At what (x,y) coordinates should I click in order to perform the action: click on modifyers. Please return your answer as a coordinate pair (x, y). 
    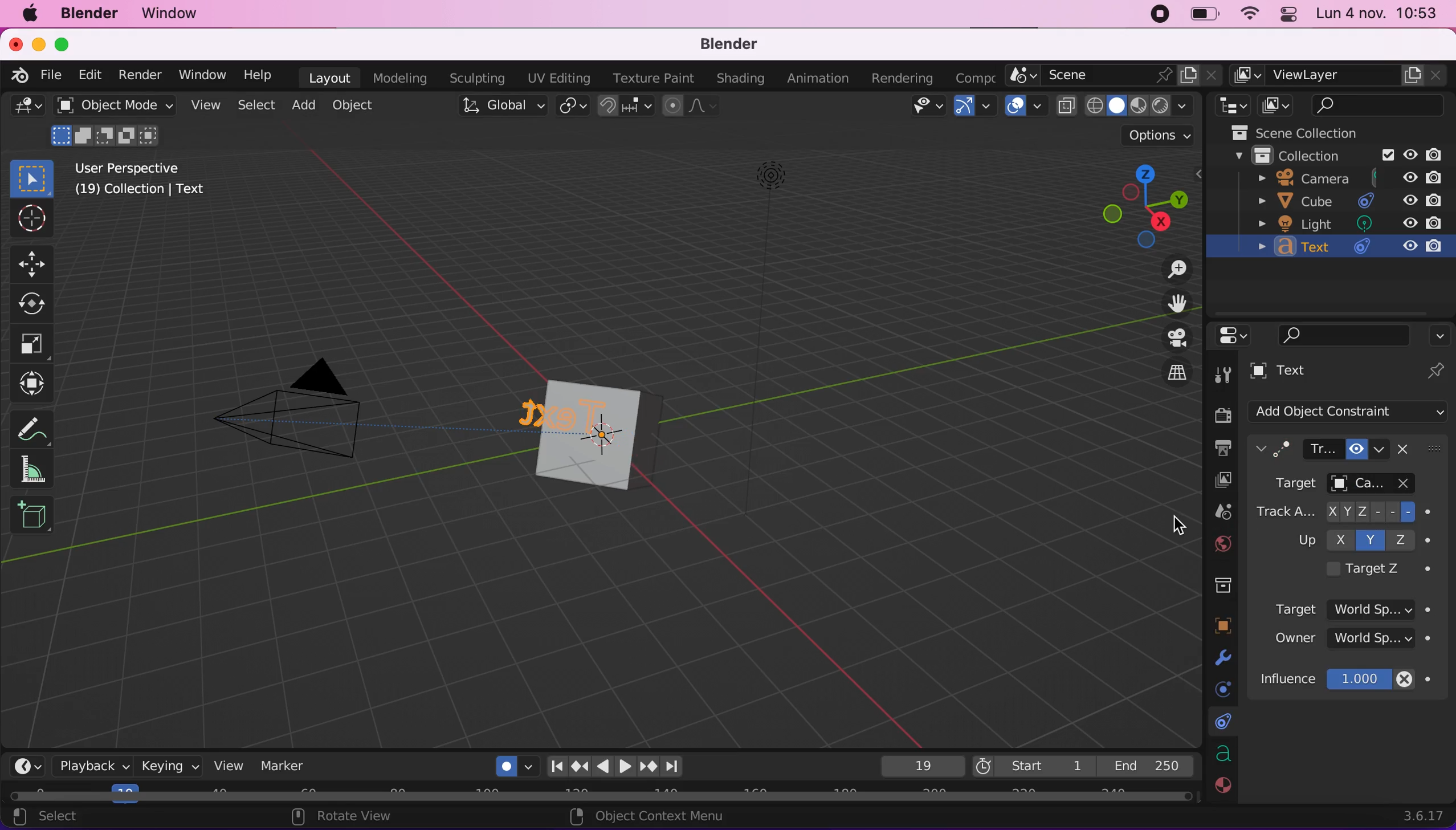
    Looking at the image, I should click on (1224, 658).